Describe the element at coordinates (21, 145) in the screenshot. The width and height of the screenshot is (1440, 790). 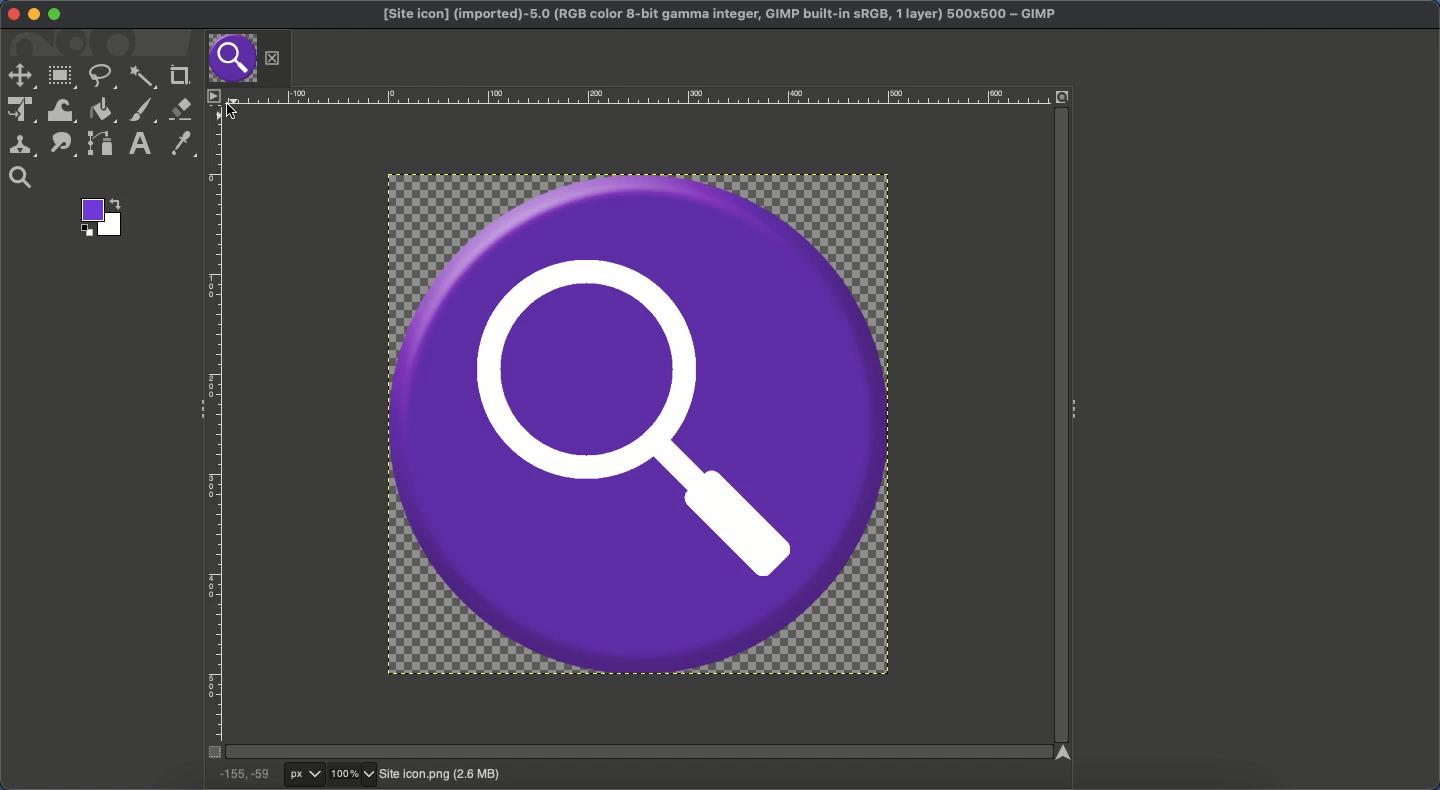
I see `Clone` at that location.